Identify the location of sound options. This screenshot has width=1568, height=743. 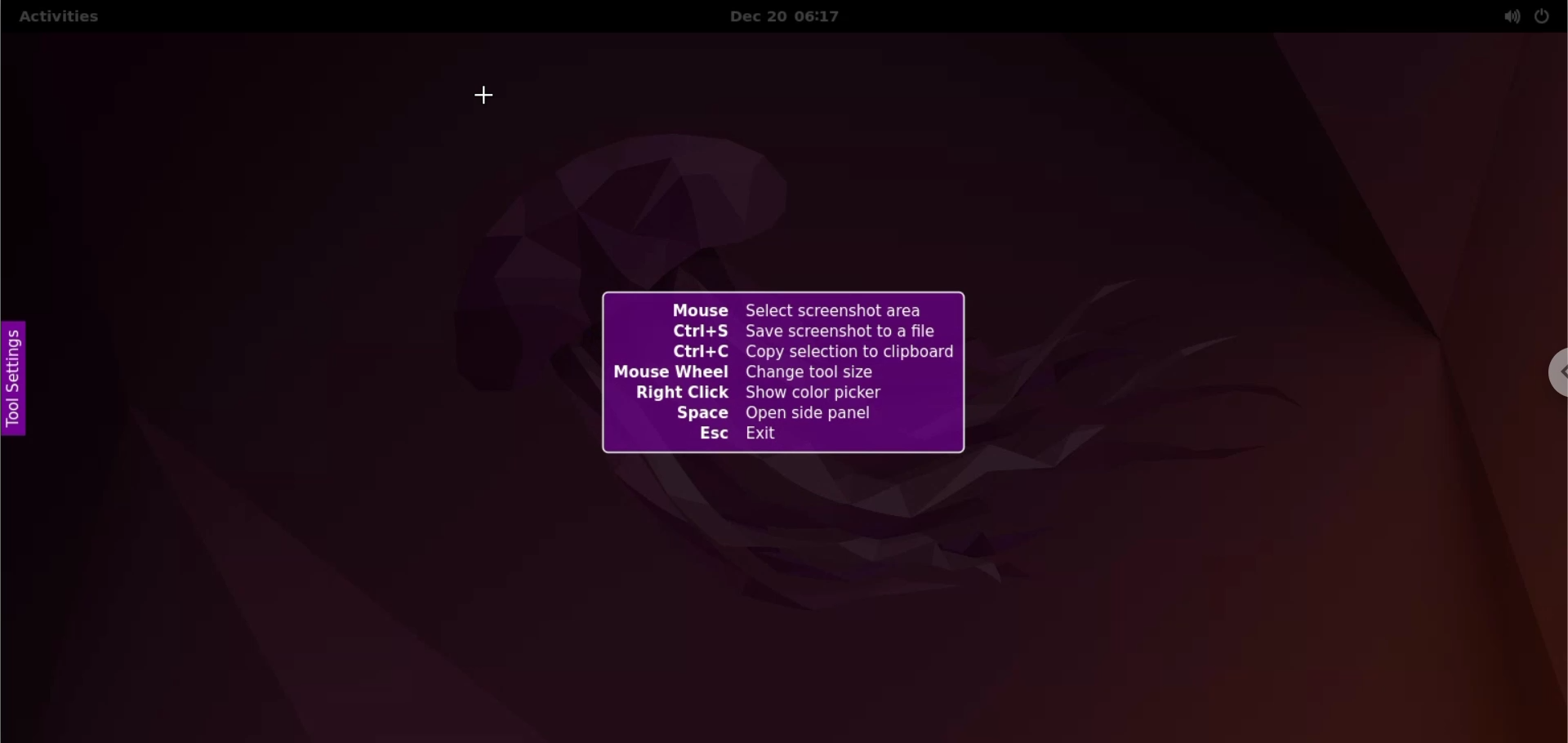
(1508, 16).